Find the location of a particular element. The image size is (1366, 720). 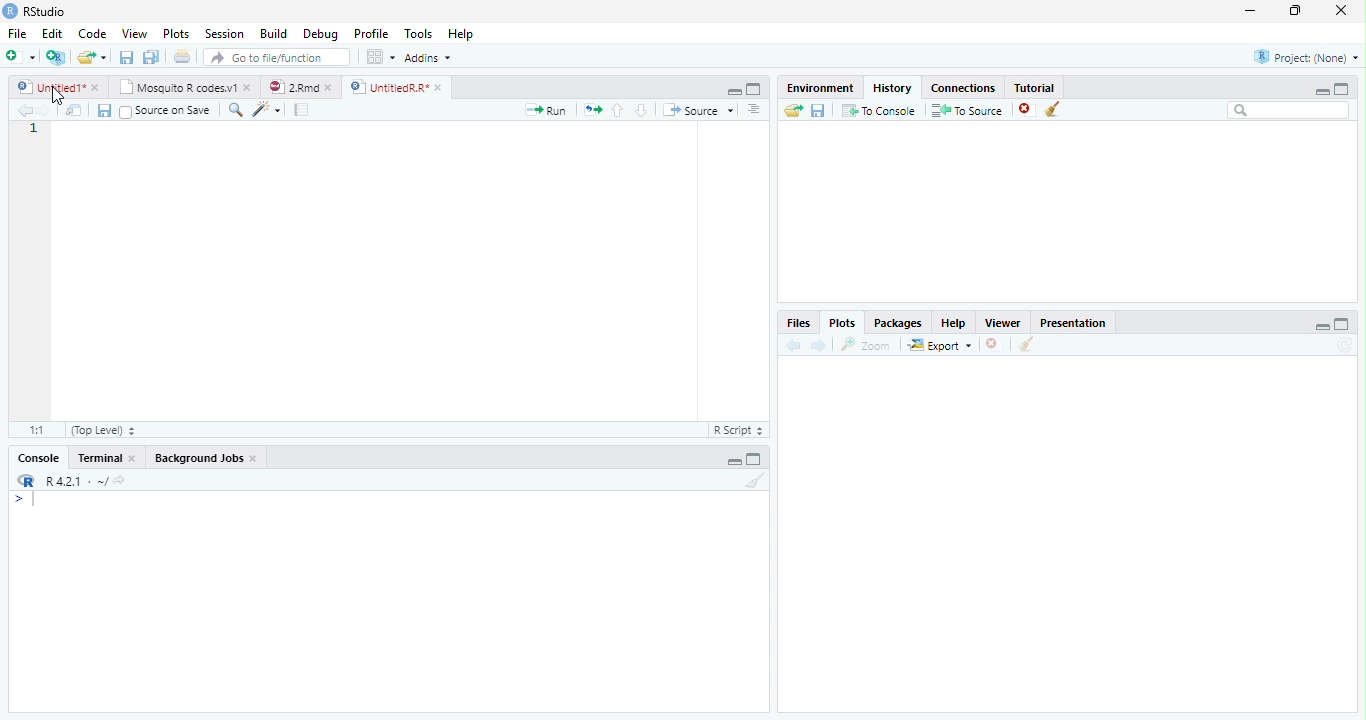

2.Rmd is located at coordinates (292, 86).